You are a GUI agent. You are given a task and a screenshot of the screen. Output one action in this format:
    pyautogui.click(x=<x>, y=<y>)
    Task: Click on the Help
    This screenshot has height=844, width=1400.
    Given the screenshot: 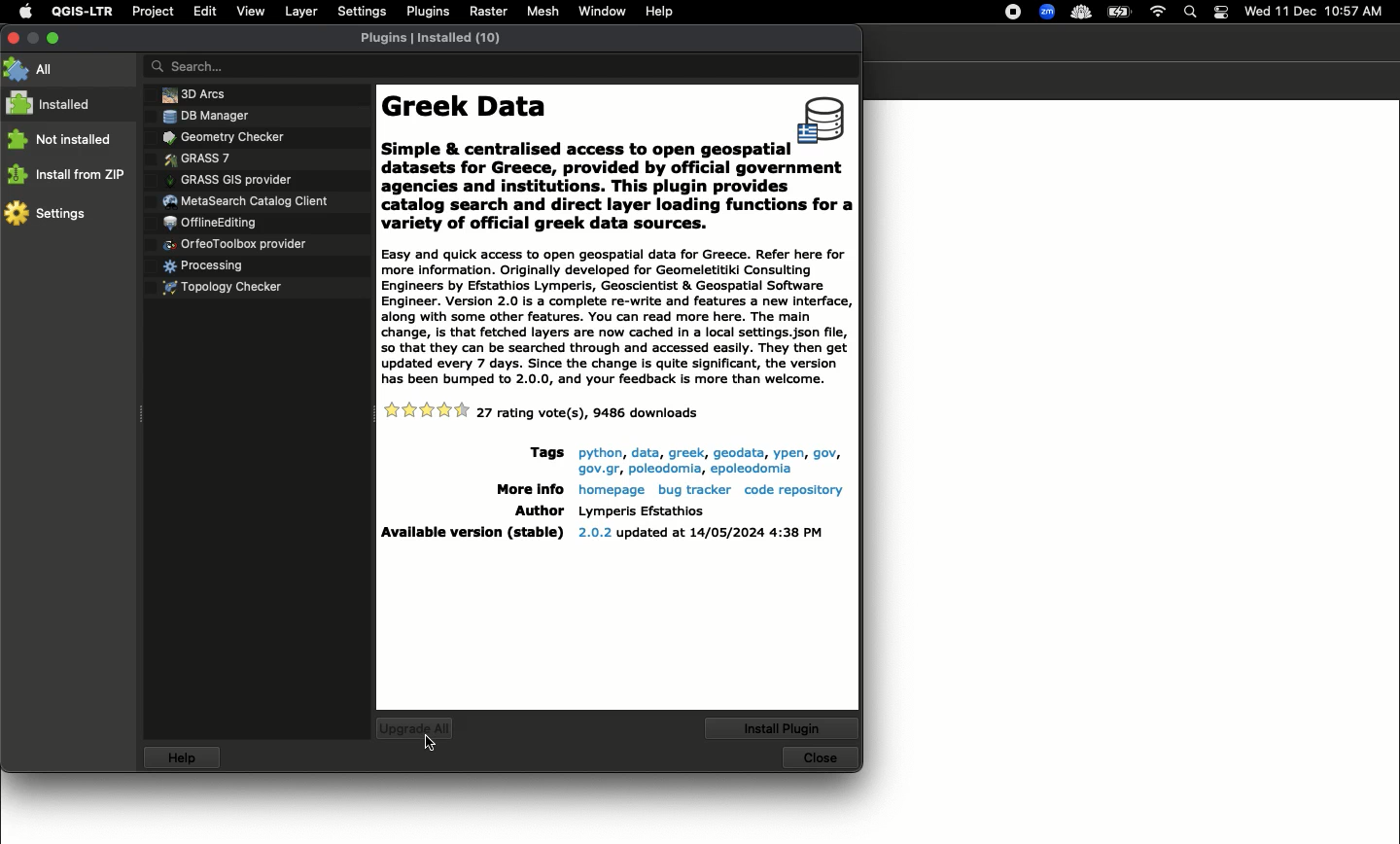 What is the action you would take?
    pyautogui.click(x=660, y=11)
    